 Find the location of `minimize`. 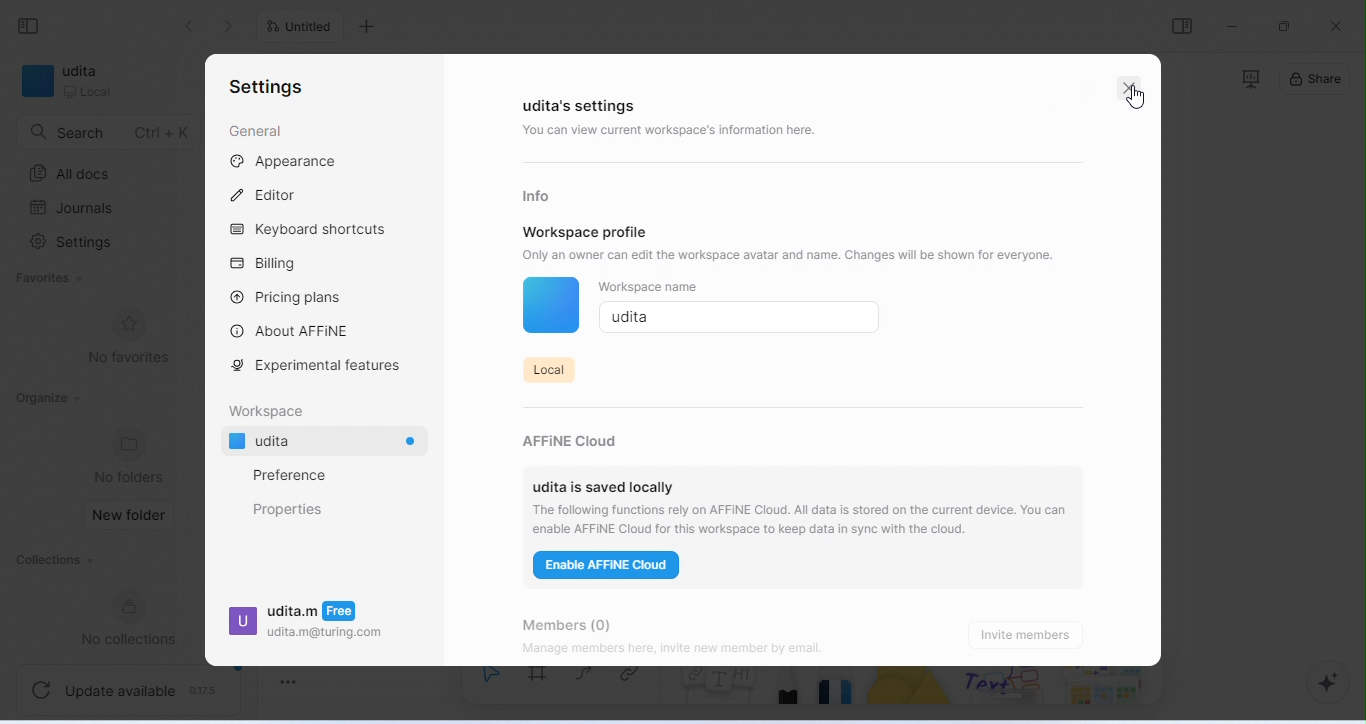

minimize is located at coordinates (1233, 25).